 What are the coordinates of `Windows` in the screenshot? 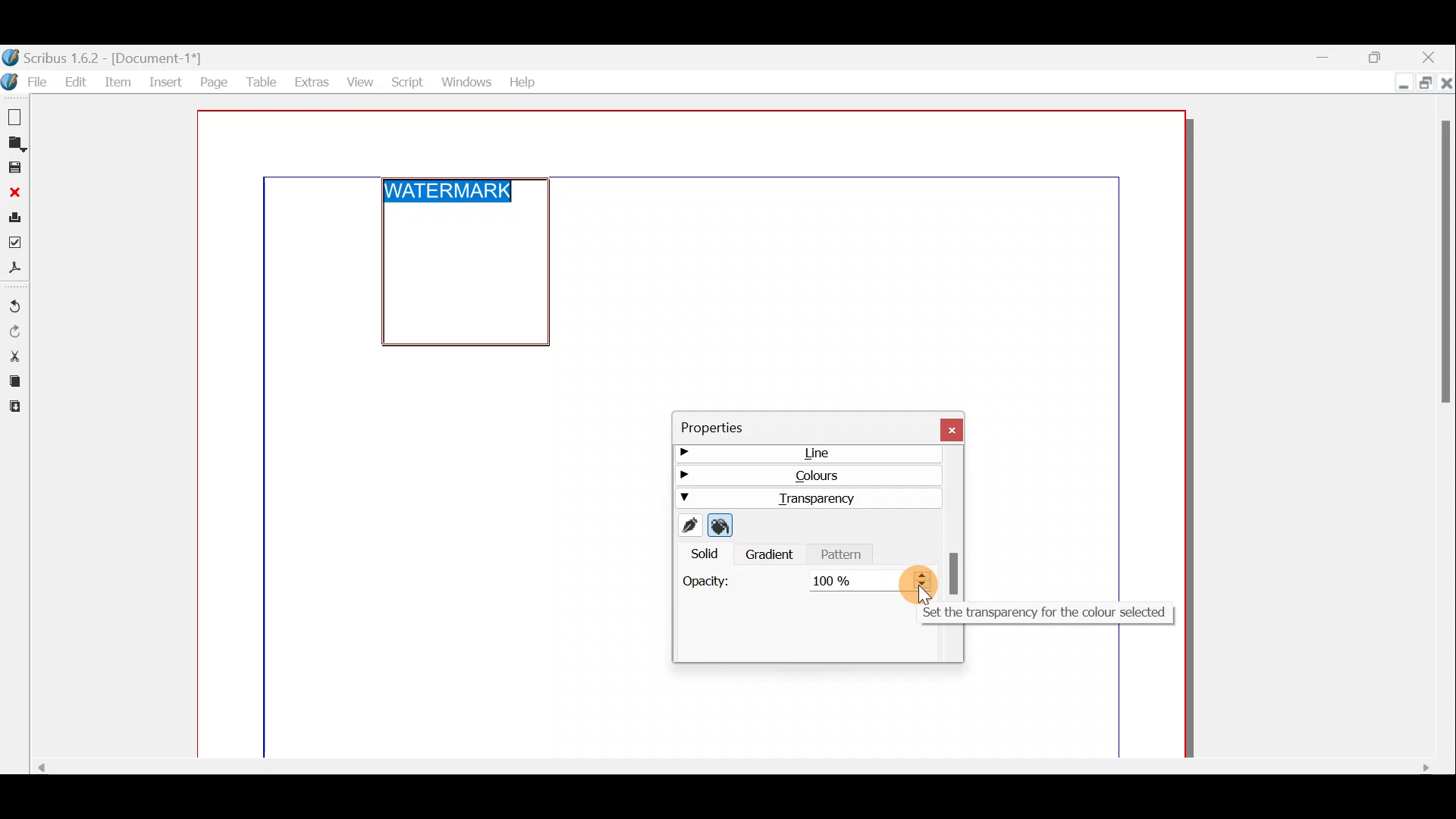 It's located at (466, 80).